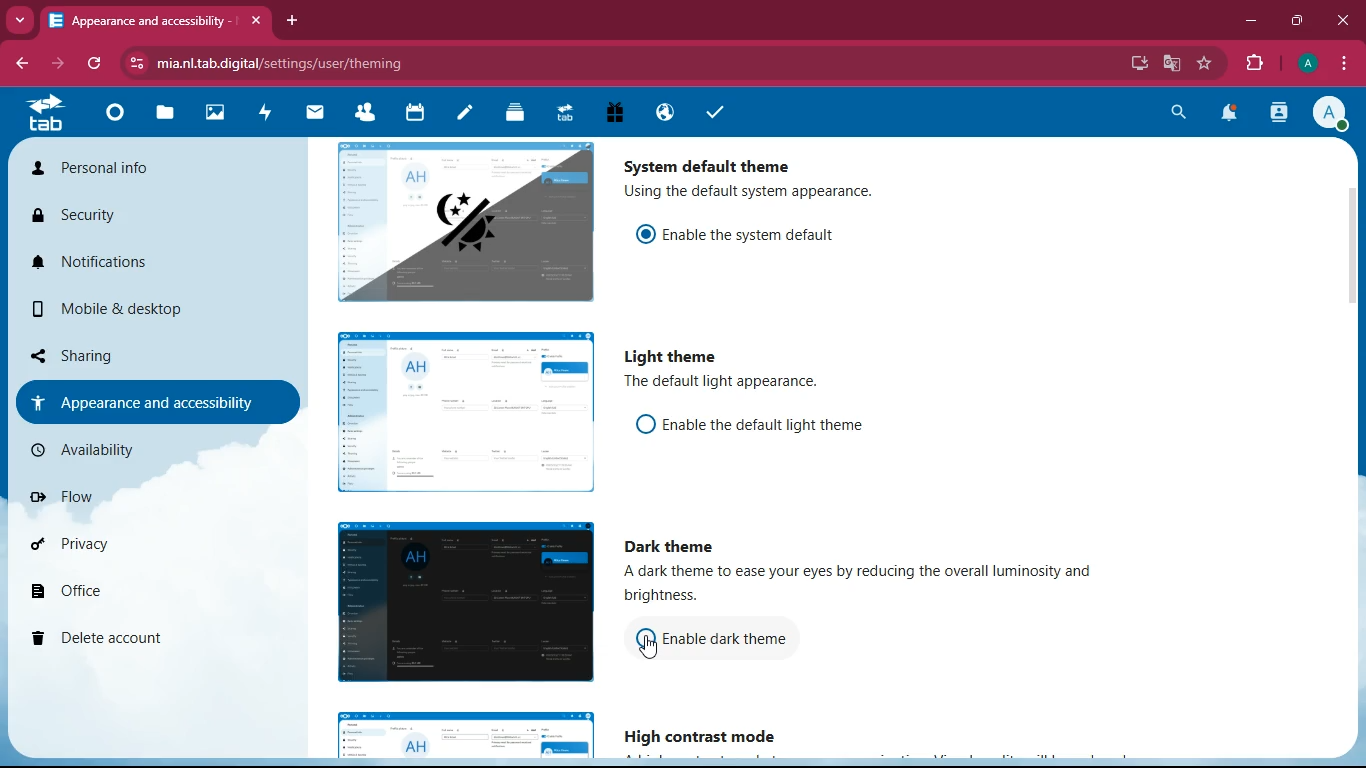 Image resolution: width=1366 pixels, height=768 pixels. I want to click on minimize, so click(1251, 24).